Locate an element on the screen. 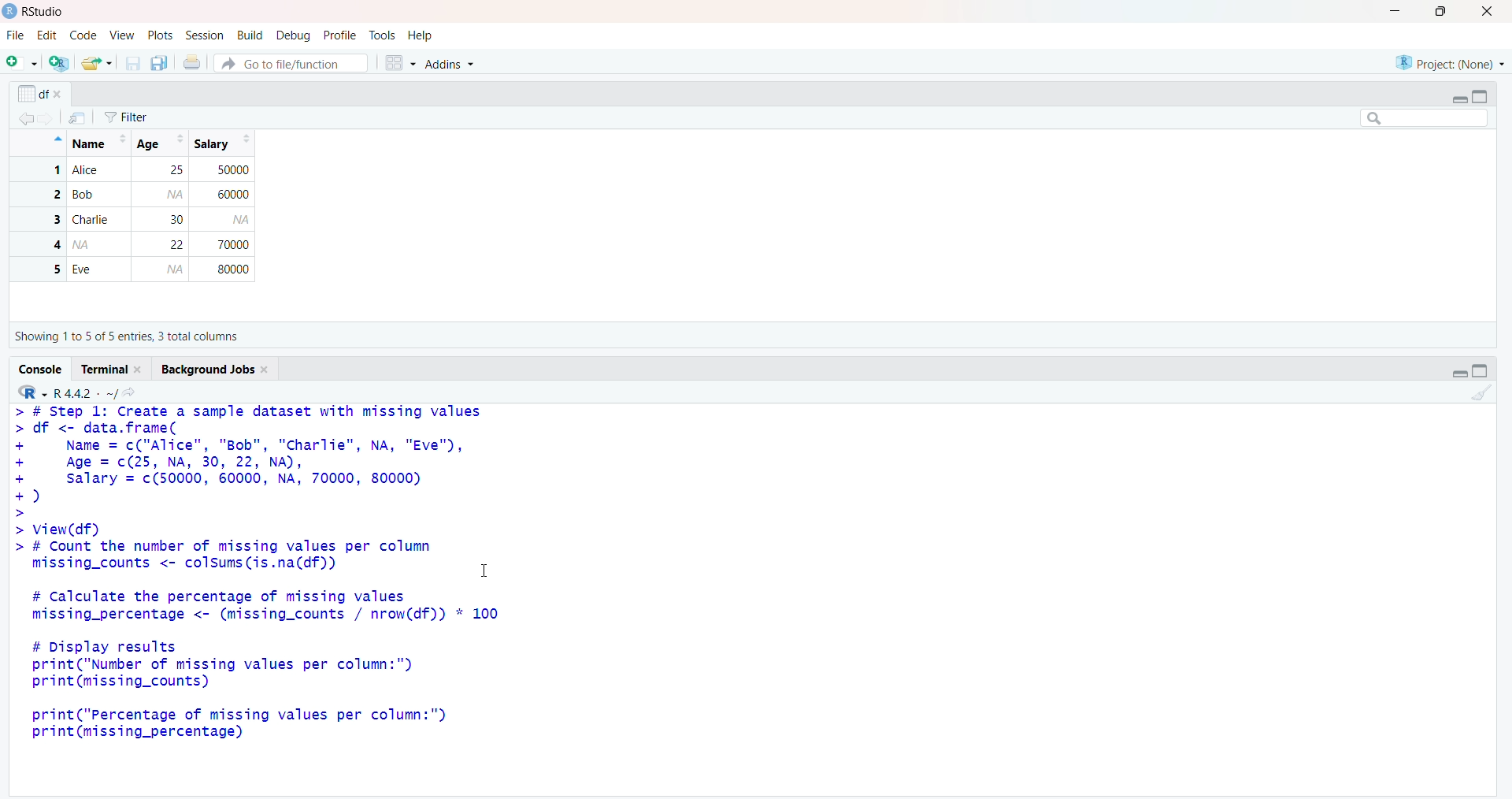 The image size is (1512, 799). New File is located at coordinates (21, 63).